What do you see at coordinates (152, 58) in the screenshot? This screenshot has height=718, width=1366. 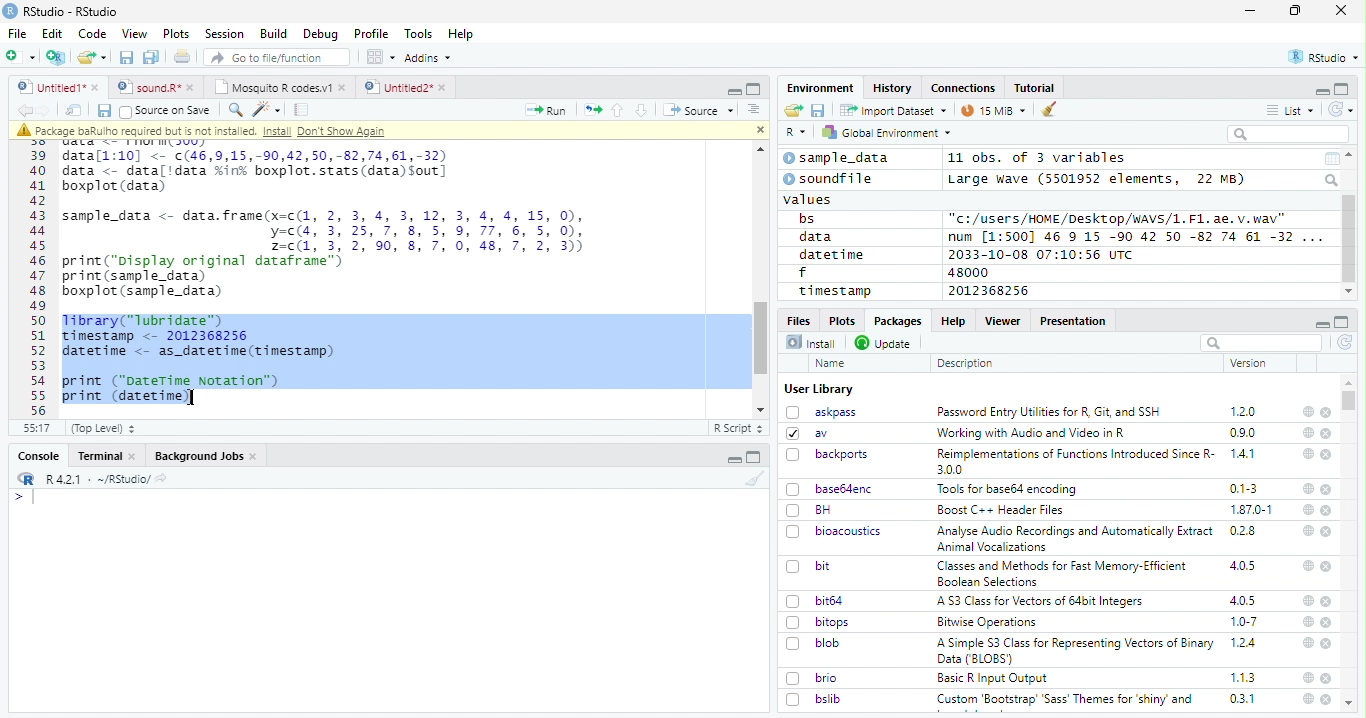 I see `Save all the open documents` at bounding box center [152, 58].